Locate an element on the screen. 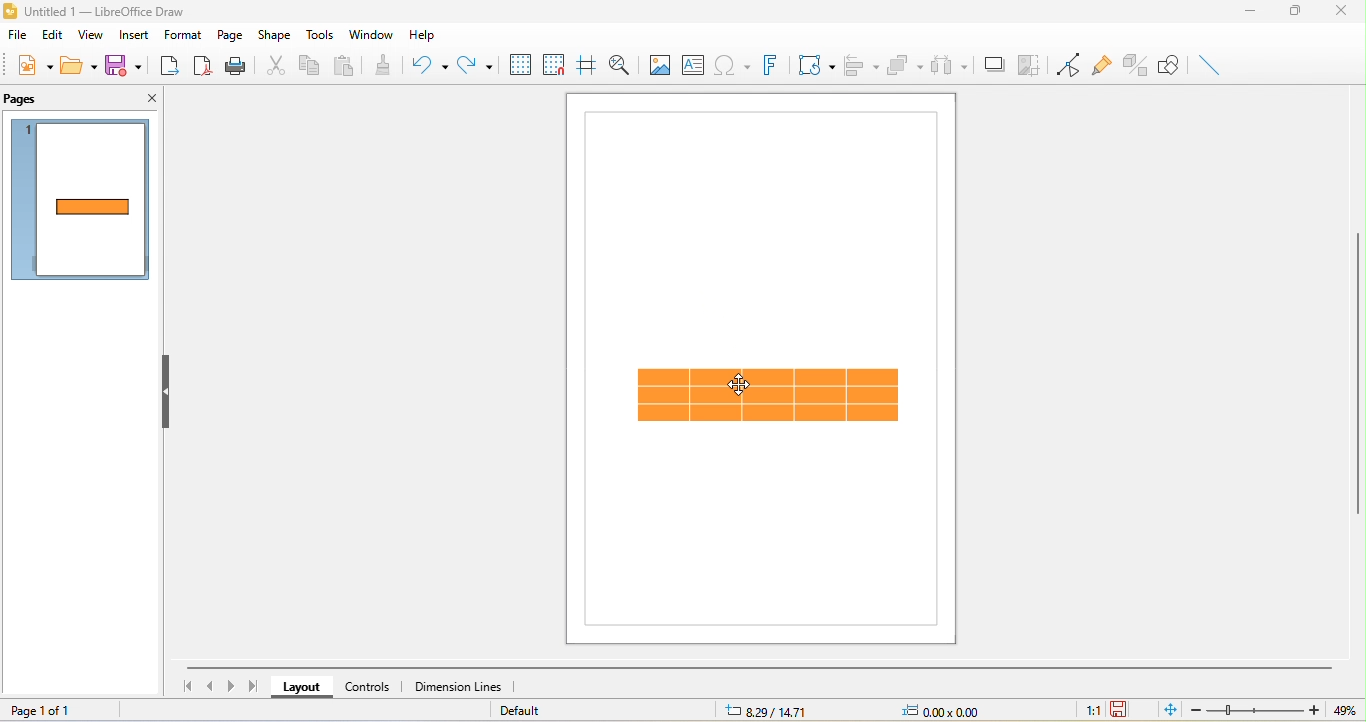 This screenshot has height=722, width=1366. align object is located at coordinates (858, 65).